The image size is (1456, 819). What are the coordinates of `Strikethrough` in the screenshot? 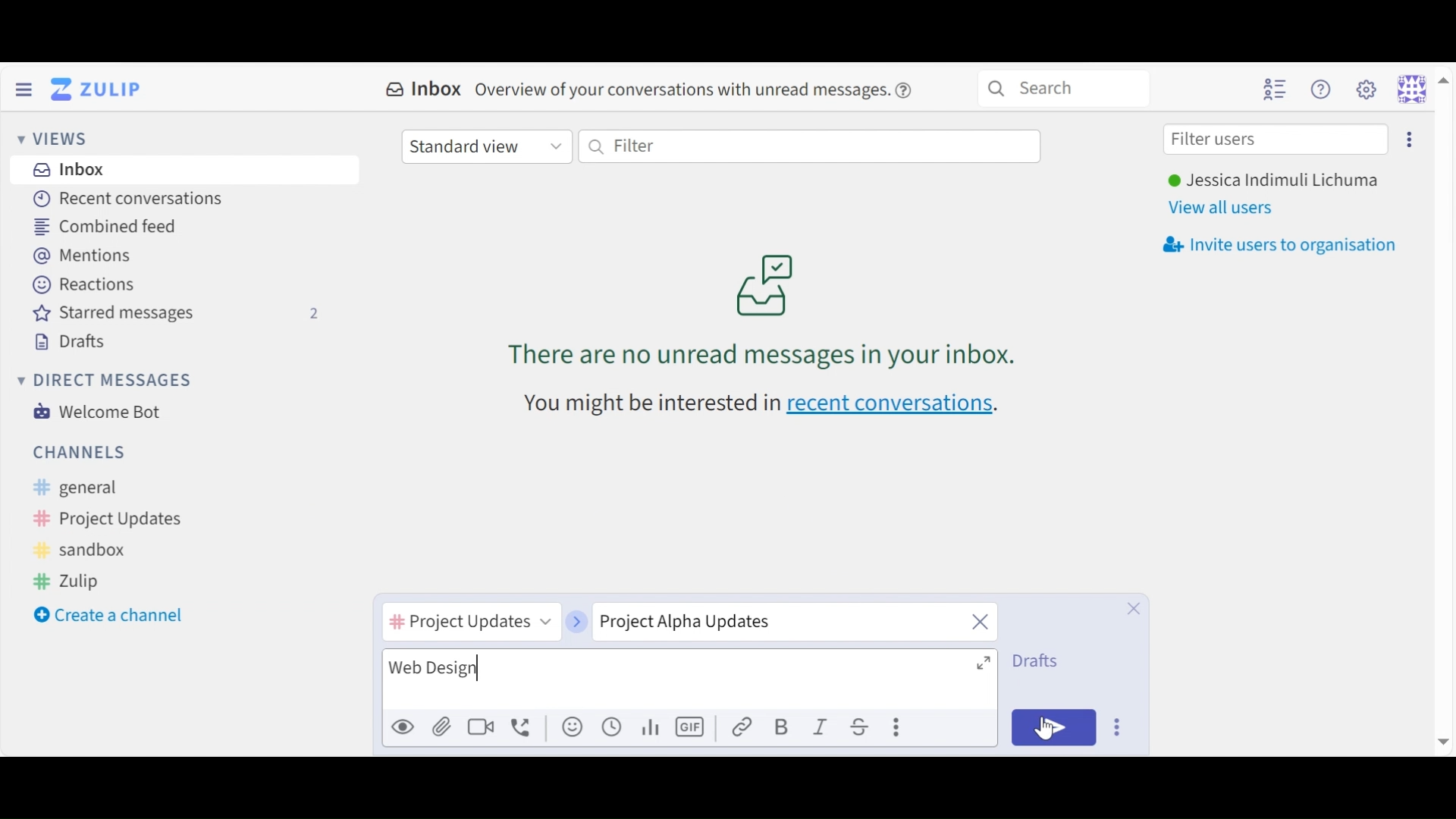 It's located at (862, 726).